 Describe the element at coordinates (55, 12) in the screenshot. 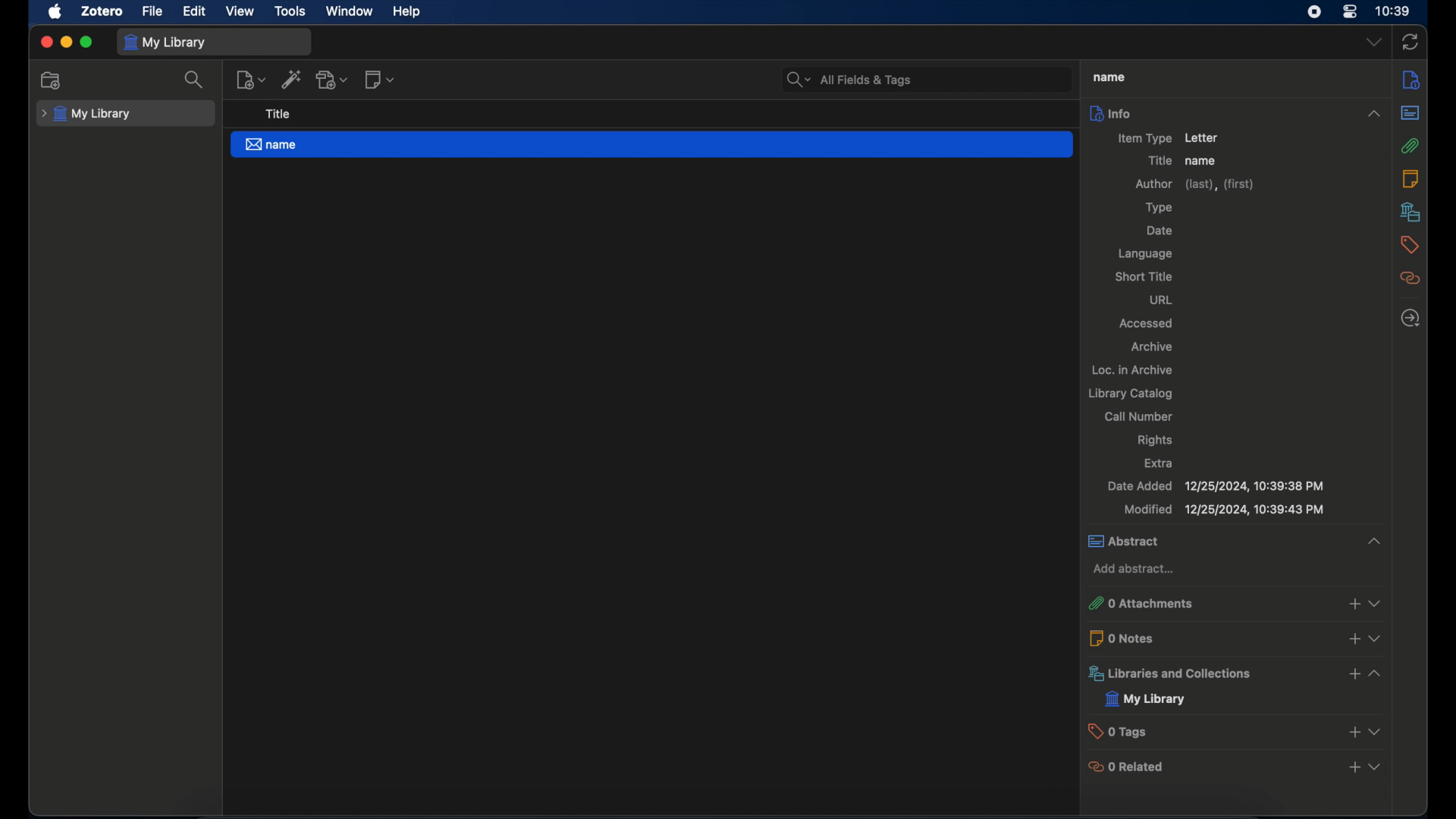

I see `apple` at that location.